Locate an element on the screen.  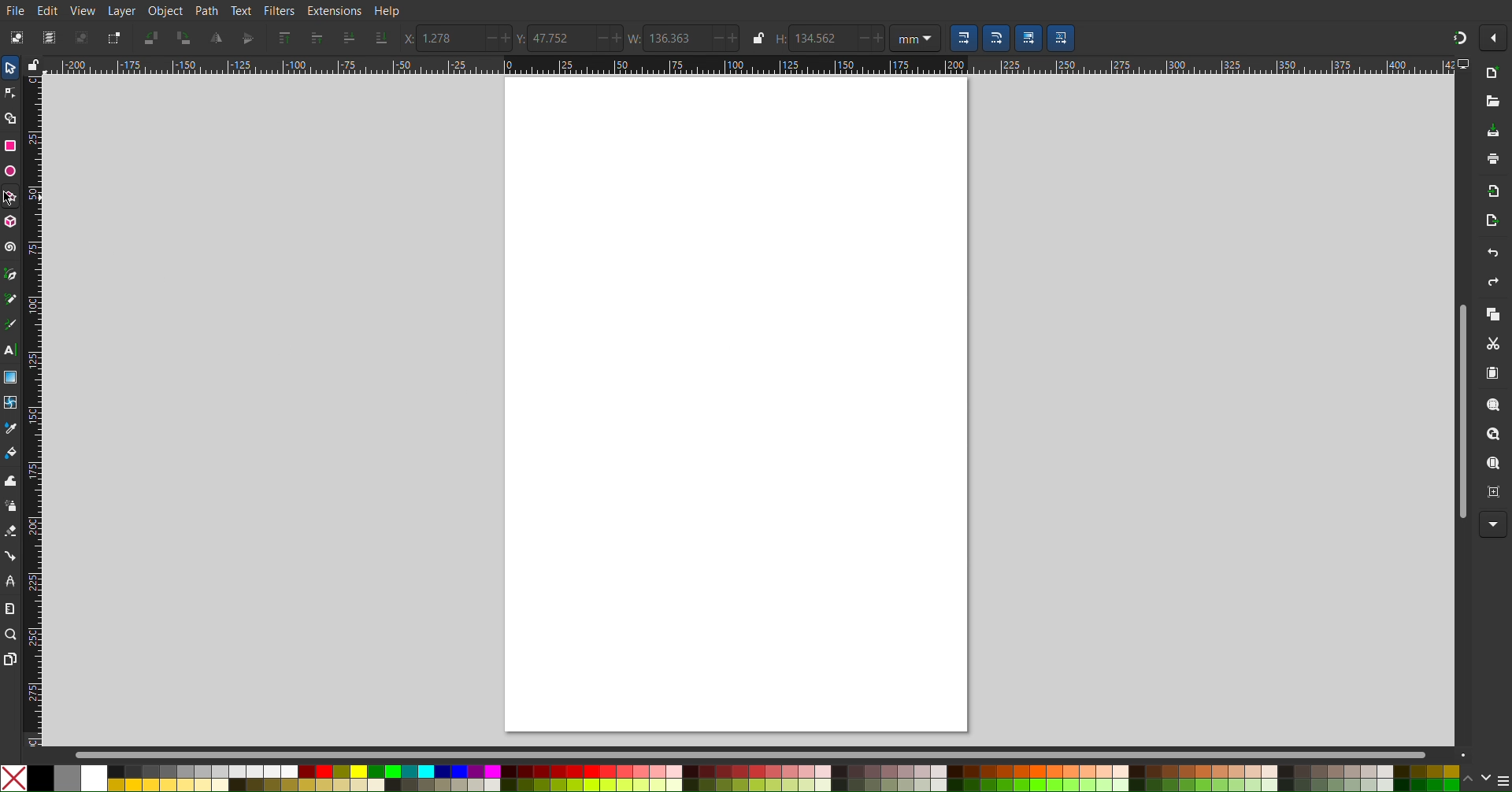
Toggle Selection Box is located at coordinates (113, 39).